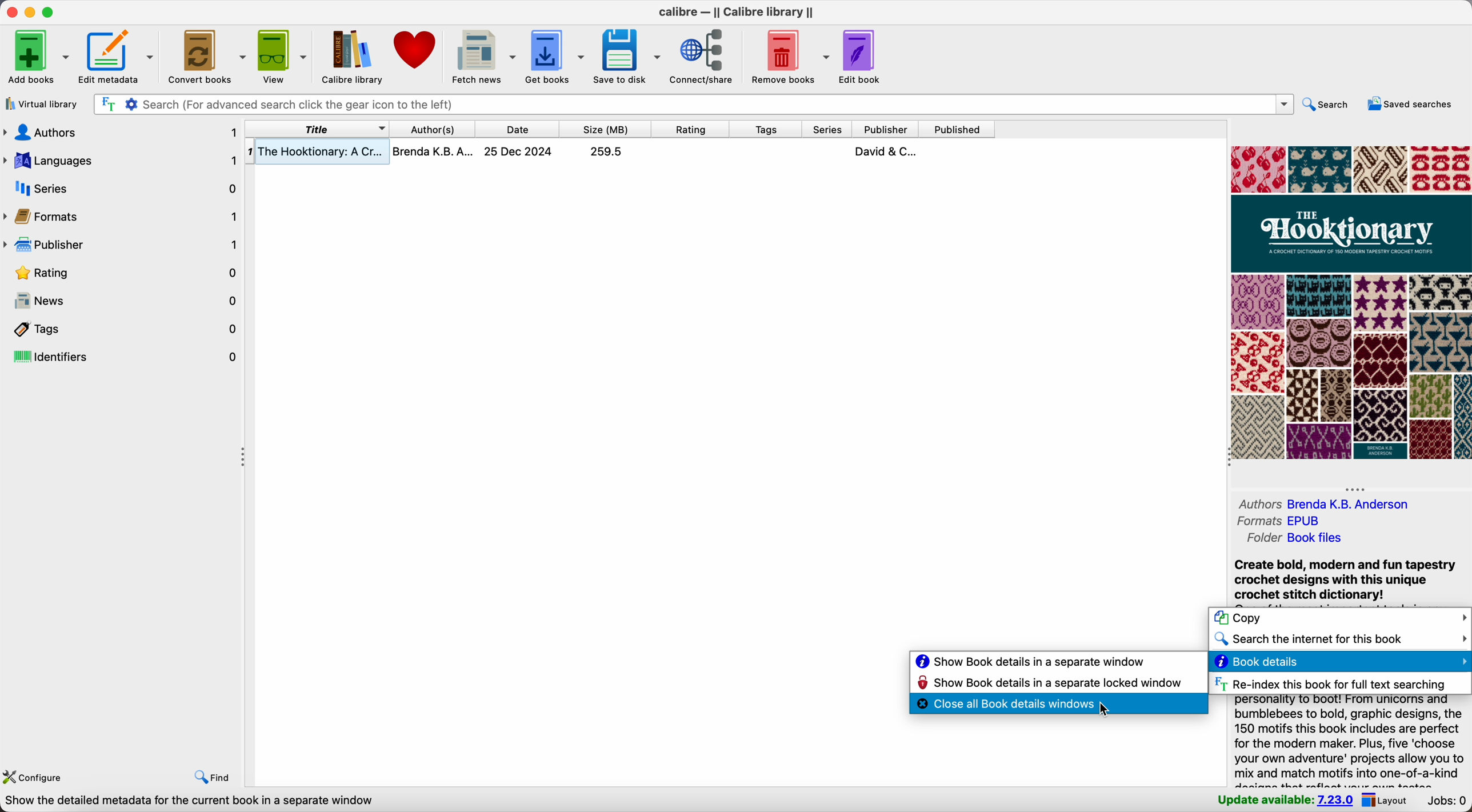  I want to click on book, so click(620, 154).